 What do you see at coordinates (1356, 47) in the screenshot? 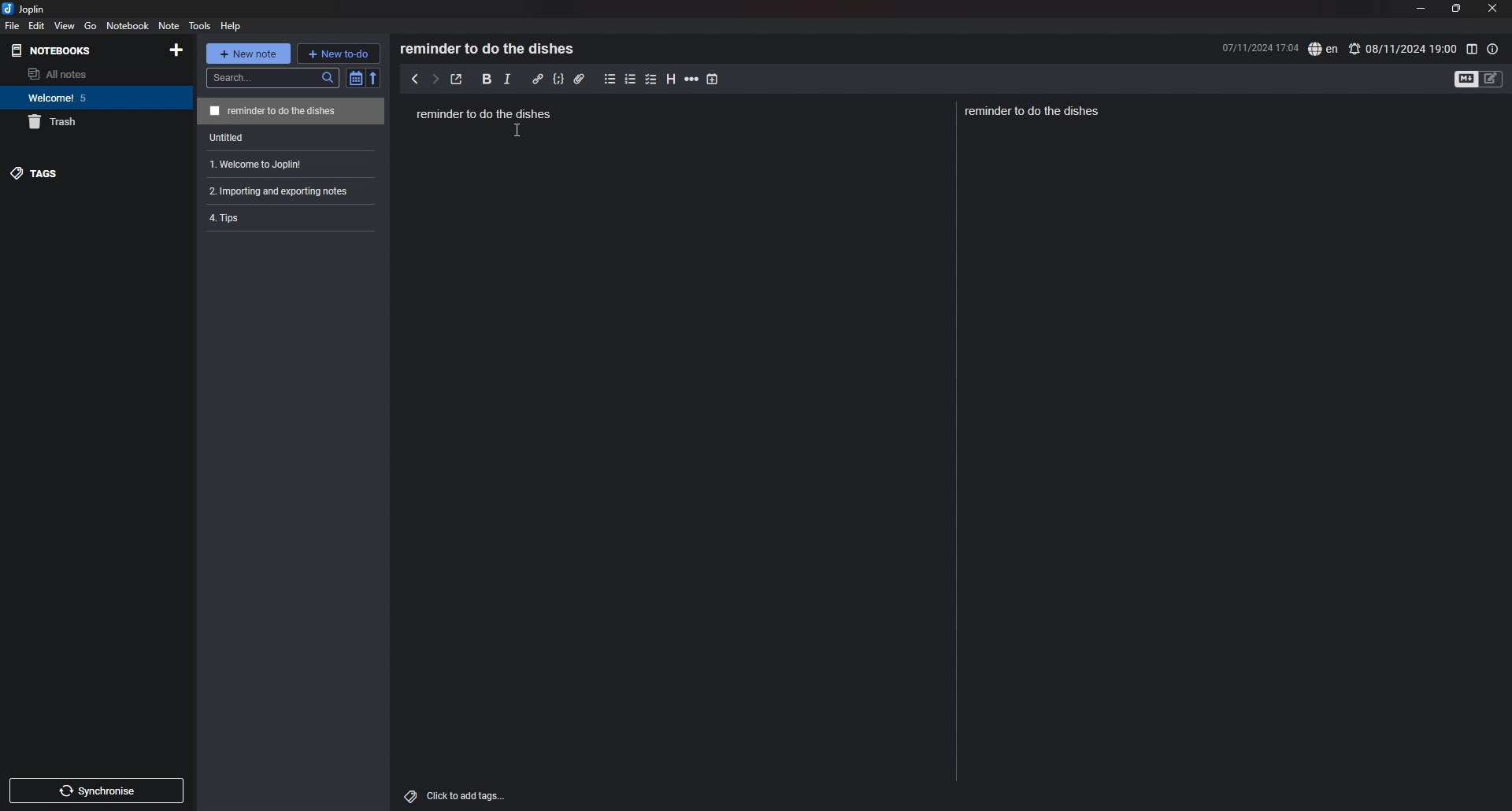
I see `notification` at bounding box center [1356, 47].